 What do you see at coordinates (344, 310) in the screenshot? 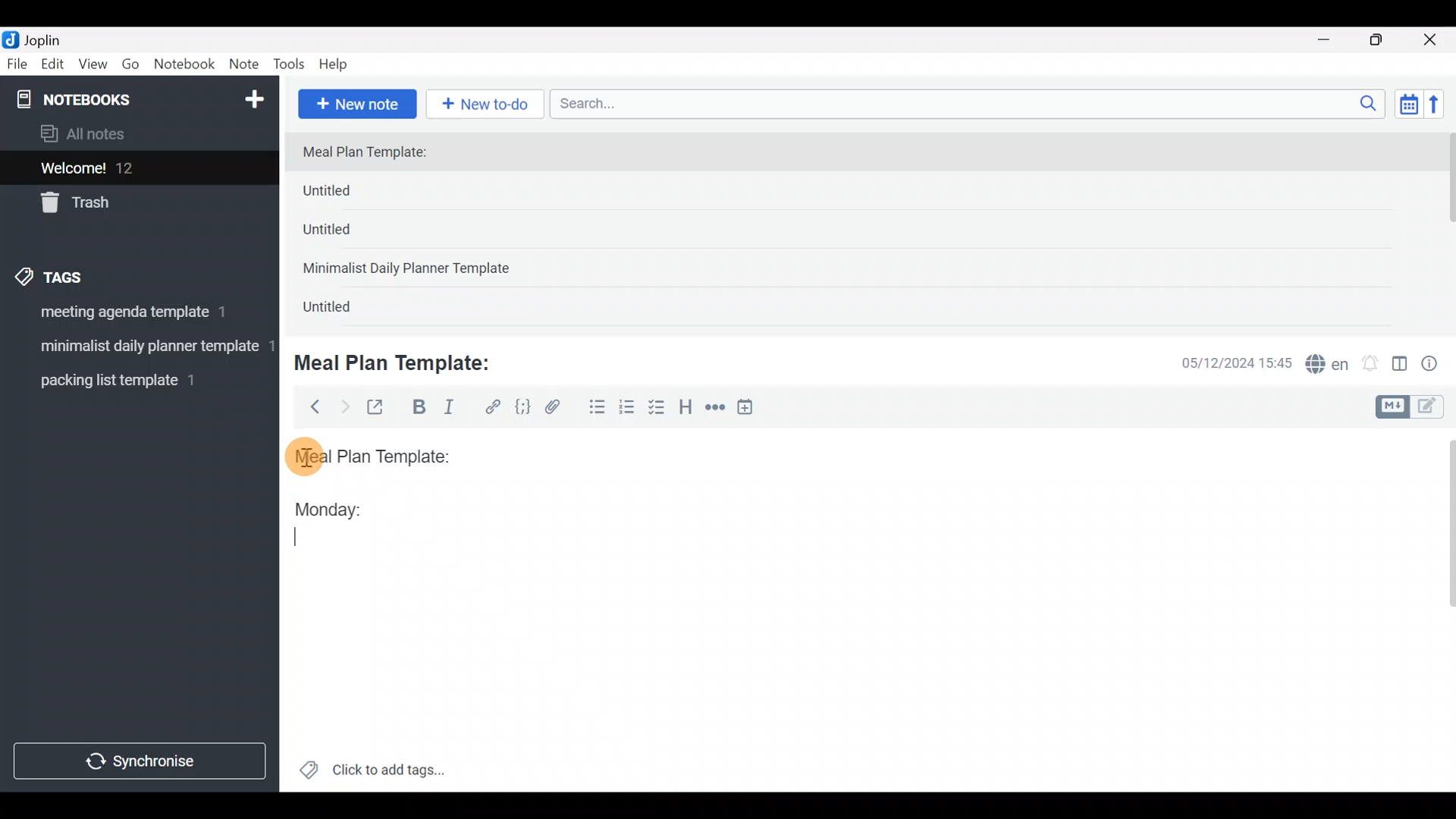
I see `Untitled` at bounding box center [344, 310].